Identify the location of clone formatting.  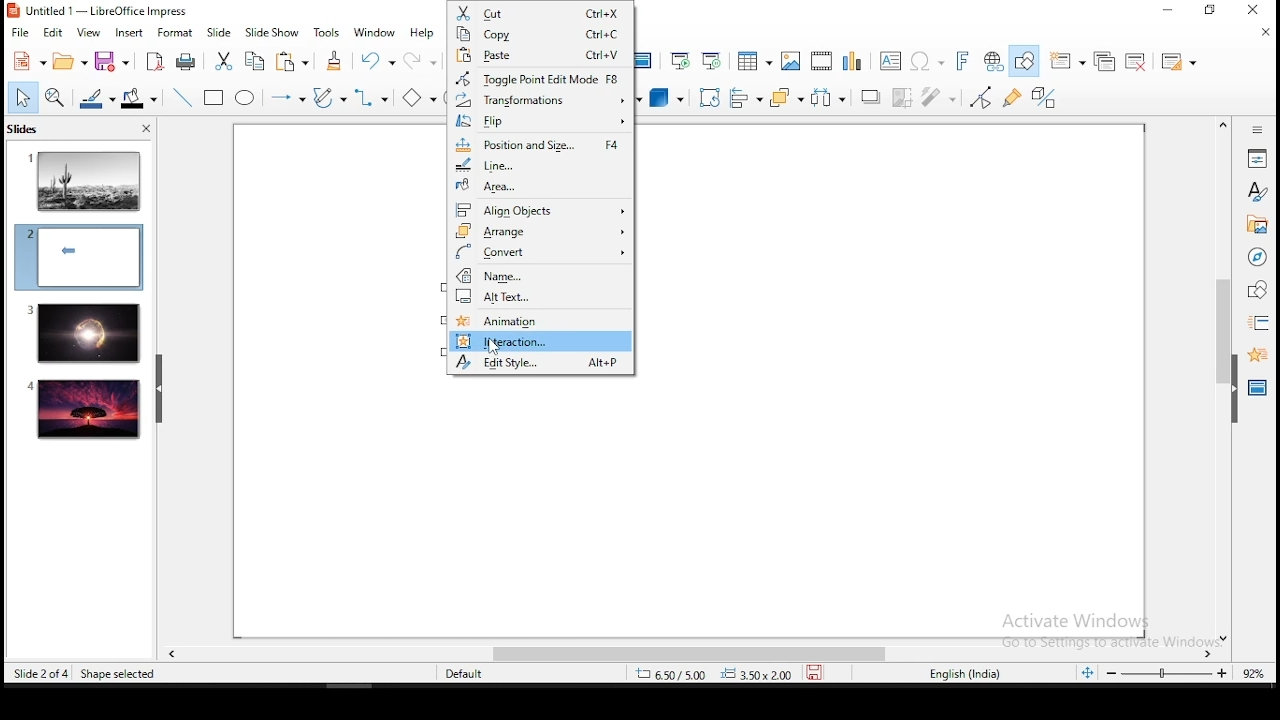
(335, 61).